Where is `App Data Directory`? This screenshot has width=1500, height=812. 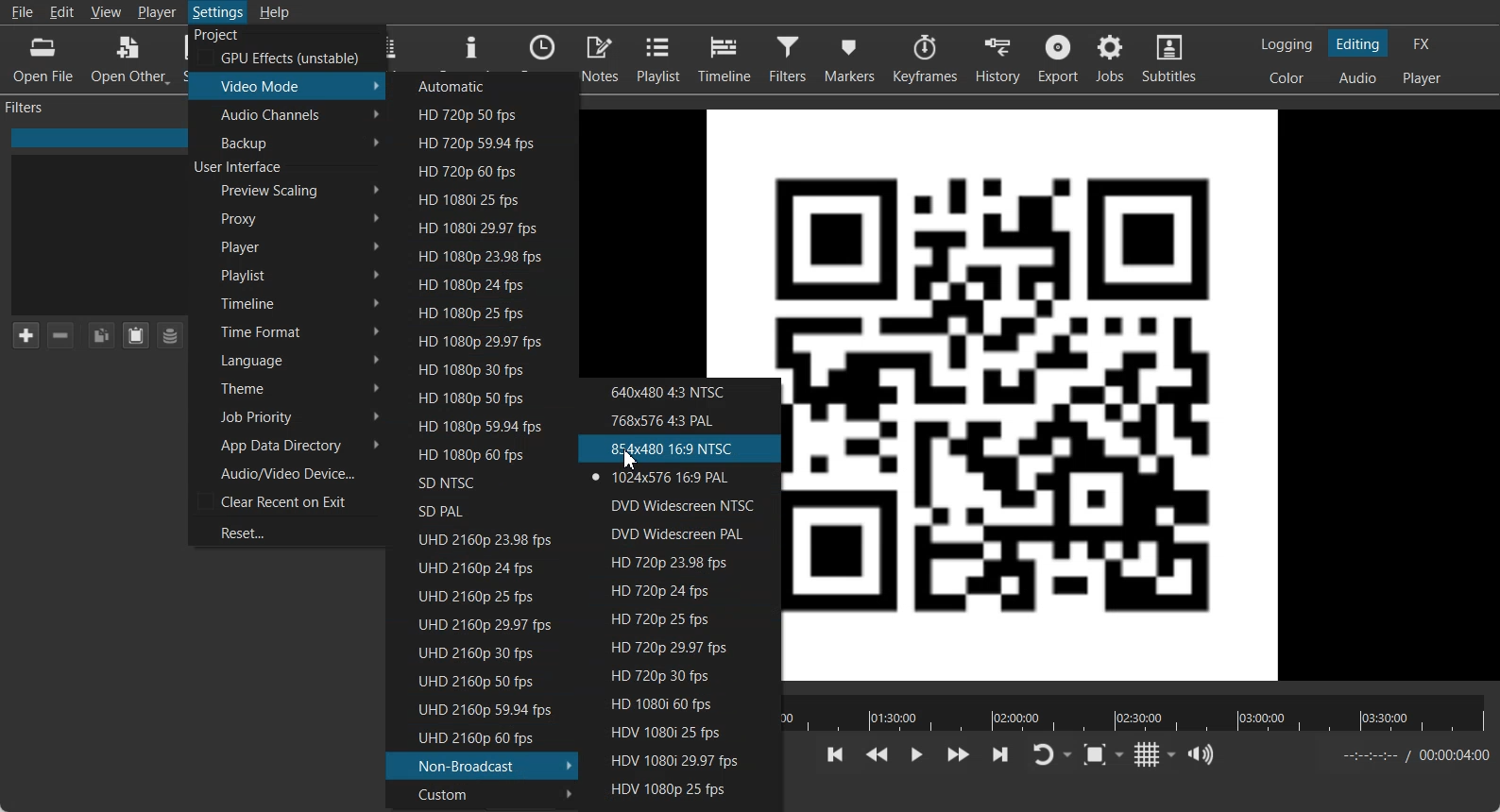
App Data Directory is located at coordinates (286, 445).